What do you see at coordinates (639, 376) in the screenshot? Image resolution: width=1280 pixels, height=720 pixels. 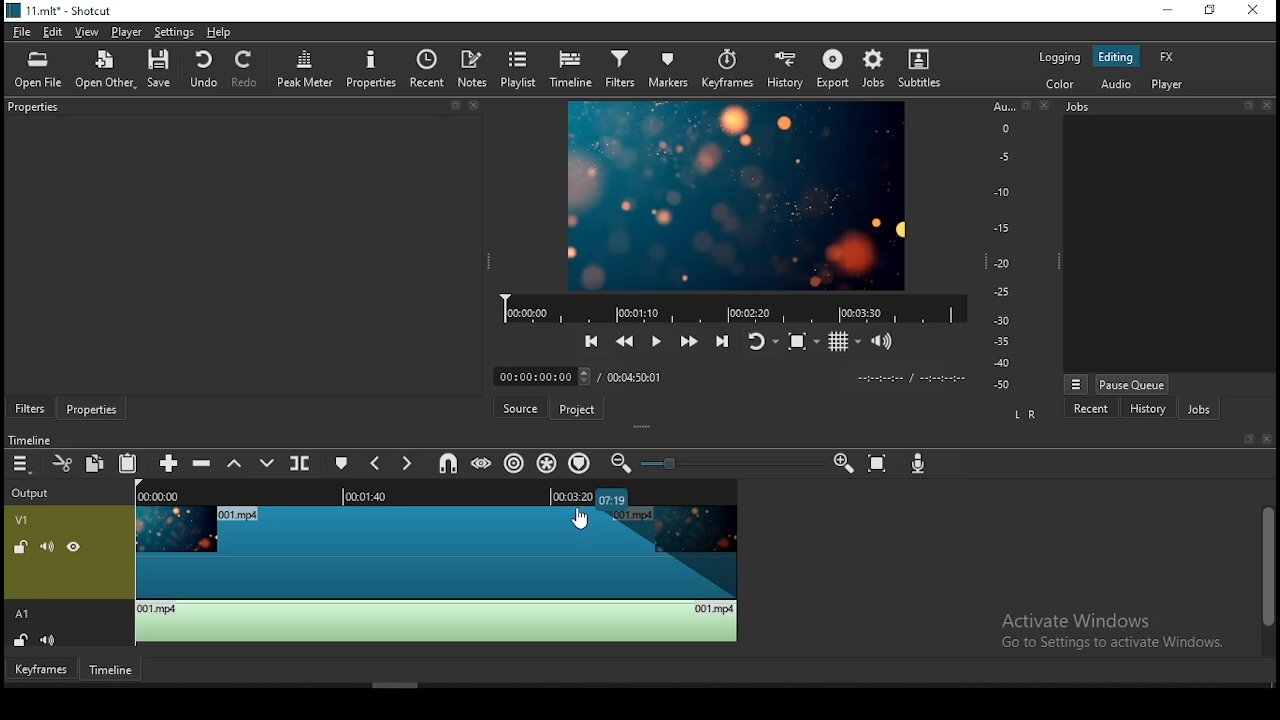 I see `total time` at bounding box center [639, 376].